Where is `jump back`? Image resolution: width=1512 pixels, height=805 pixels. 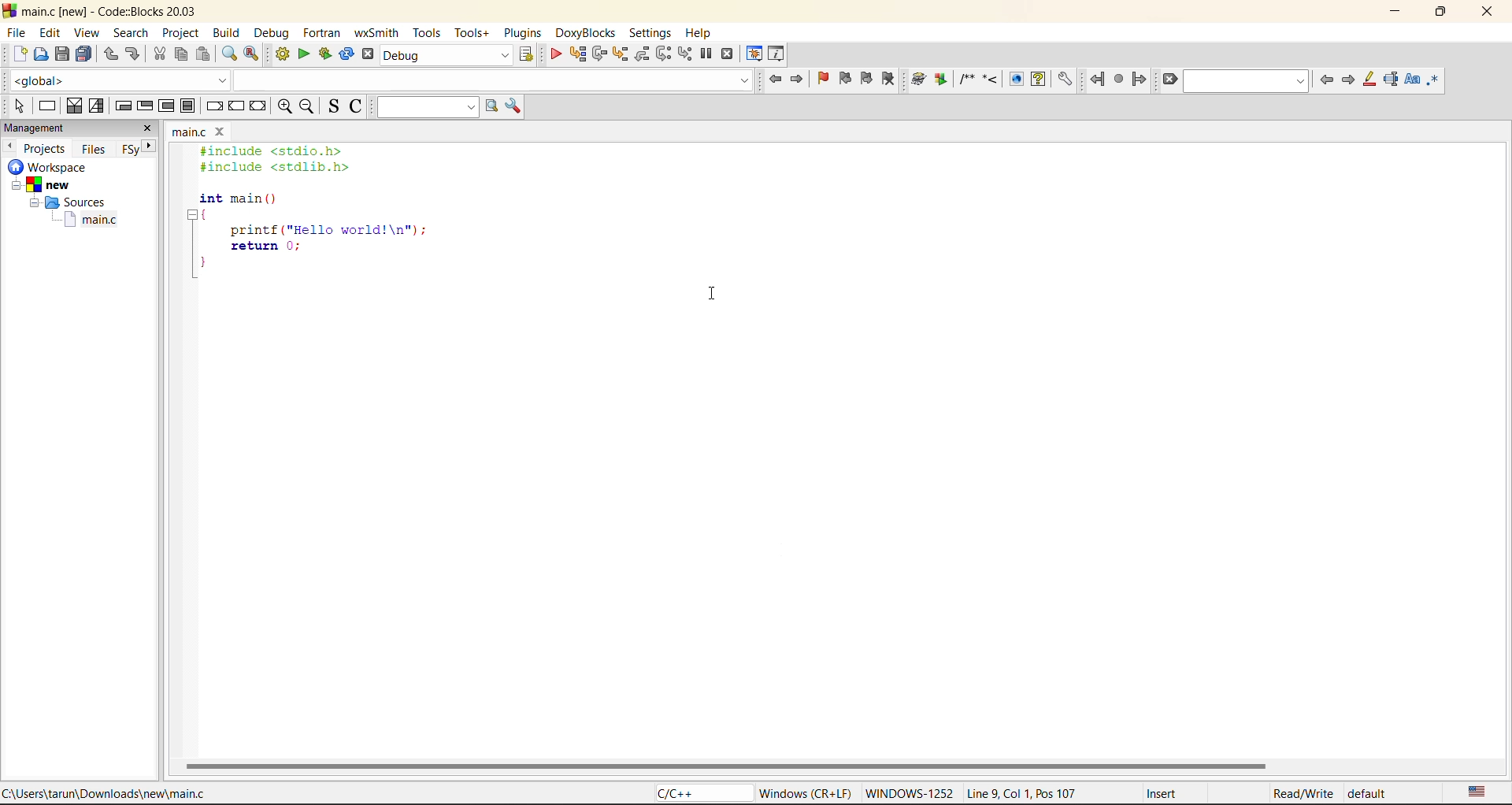 jump back is located at coordinates (774, 80).